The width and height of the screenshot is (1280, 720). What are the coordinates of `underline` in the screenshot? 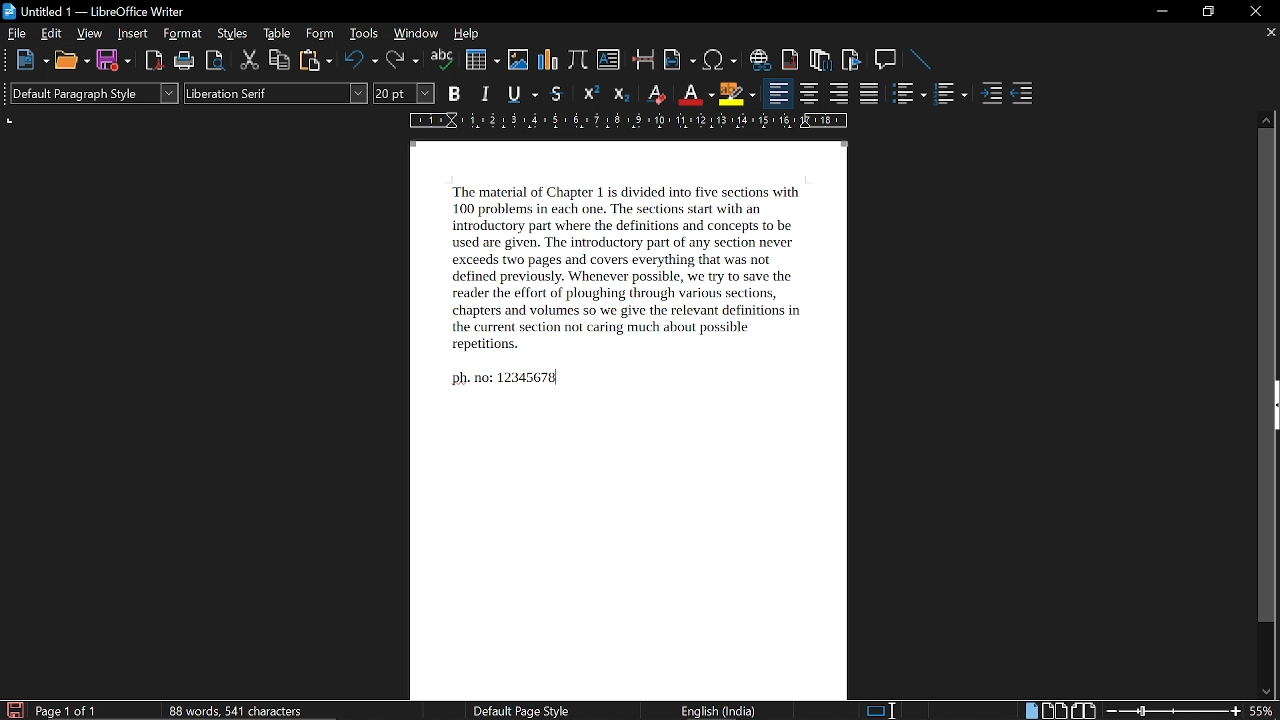 It's located at (521, 93).